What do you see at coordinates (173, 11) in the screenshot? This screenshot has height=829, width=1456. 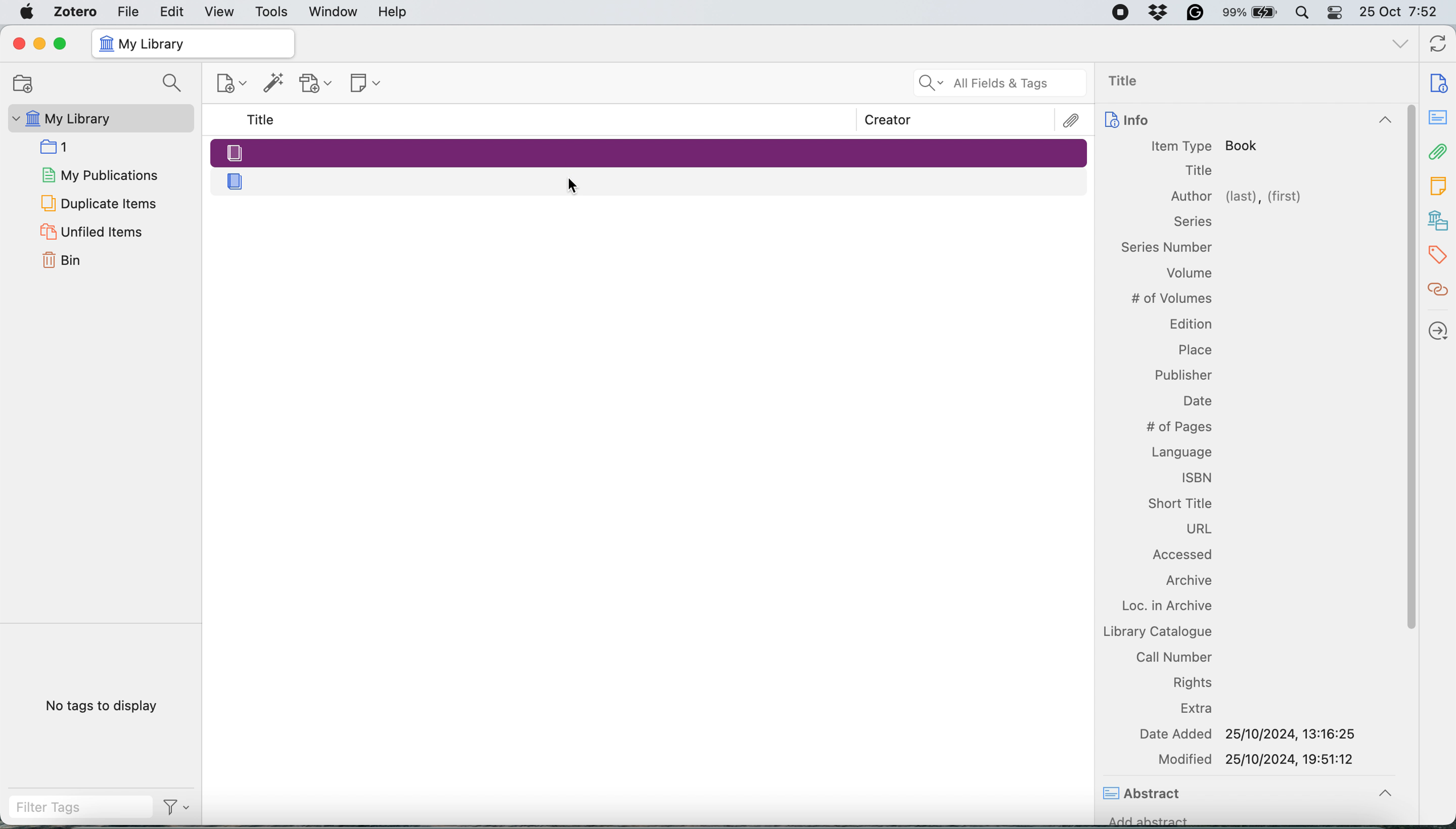 I see `Edit` at bounding box center [173, 11].